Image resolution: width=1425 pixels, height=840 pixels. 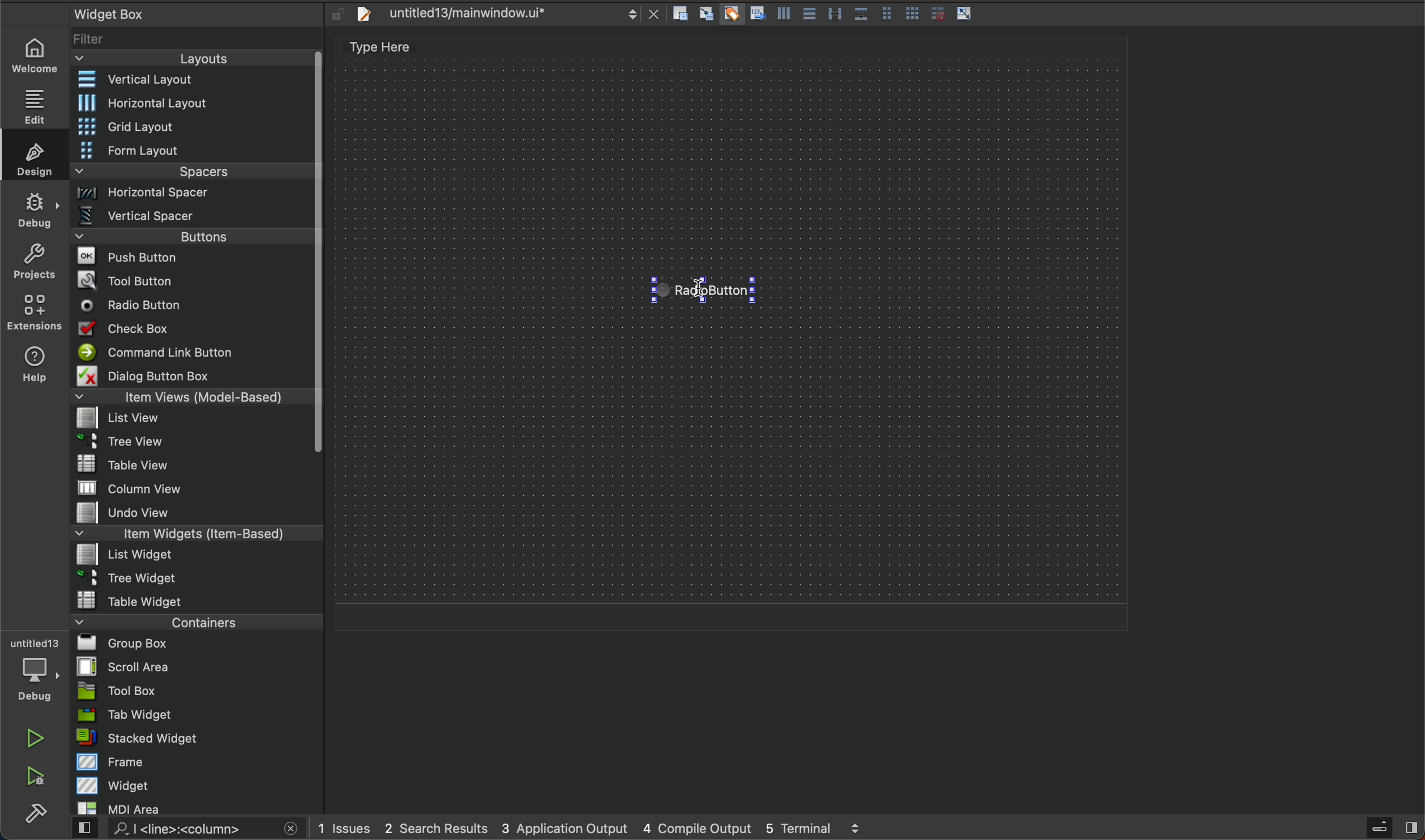 What do you see at coordinates (607, 828) in the screenshot?
I see `logs` at bounding box center [607, 828].